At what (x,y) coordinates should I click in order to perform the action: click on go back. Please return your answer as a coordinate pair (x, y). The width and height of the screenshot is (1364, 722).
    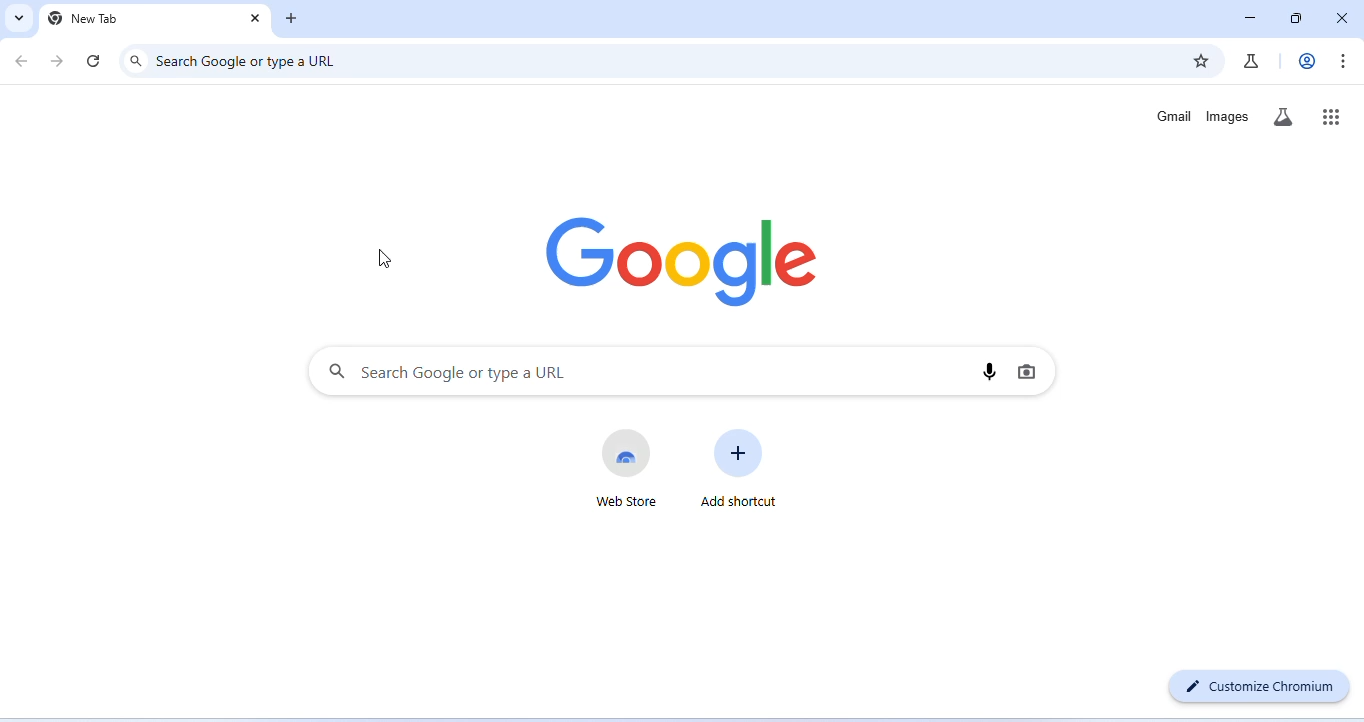
    Looking at the image, I should click on (25, 60).